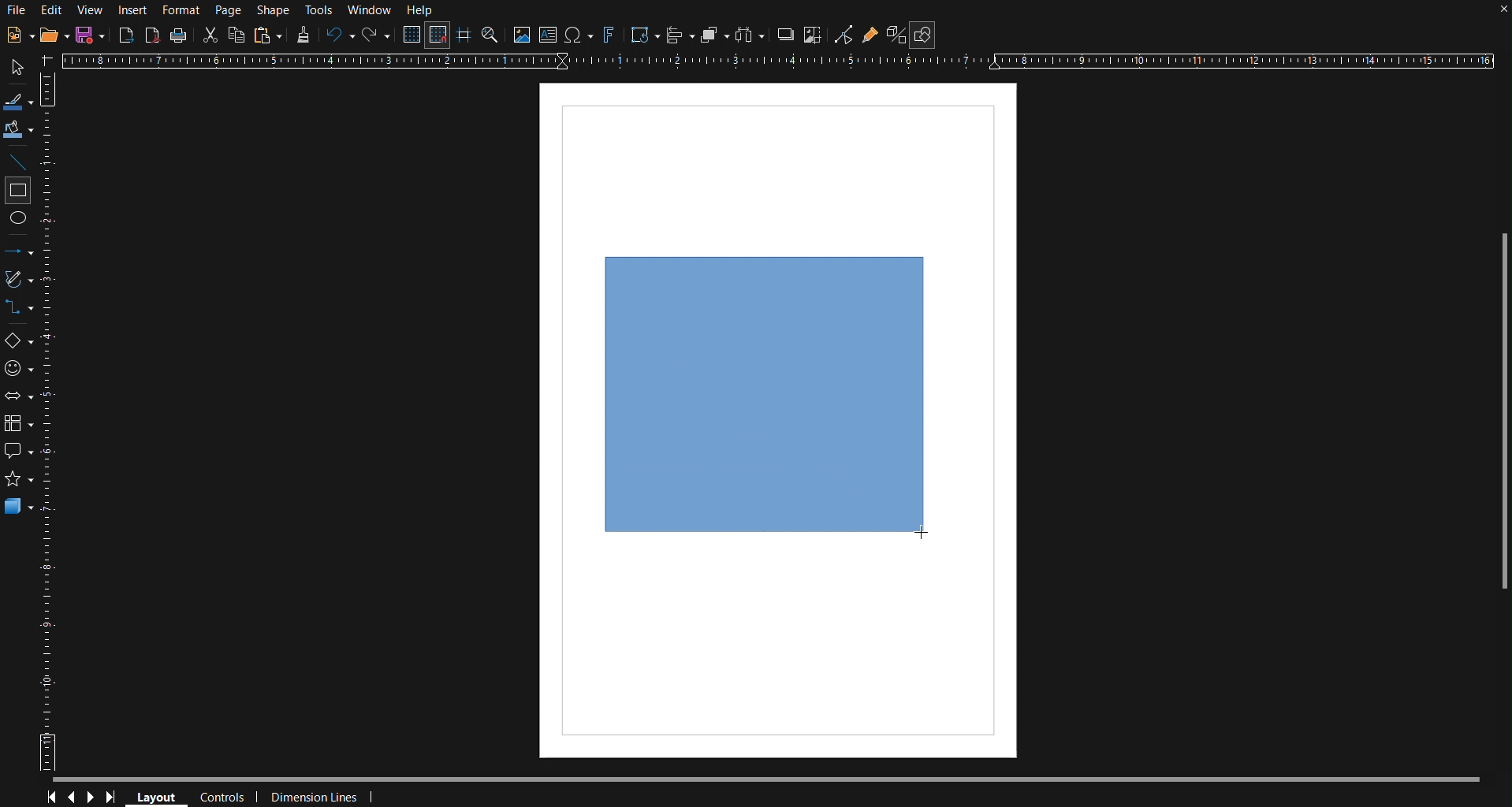 The width and height of the screenshot is (1512, 807). Describe the element at coordinates (19, 478) in the screenshot. I see `Stars and Banners` at that location.